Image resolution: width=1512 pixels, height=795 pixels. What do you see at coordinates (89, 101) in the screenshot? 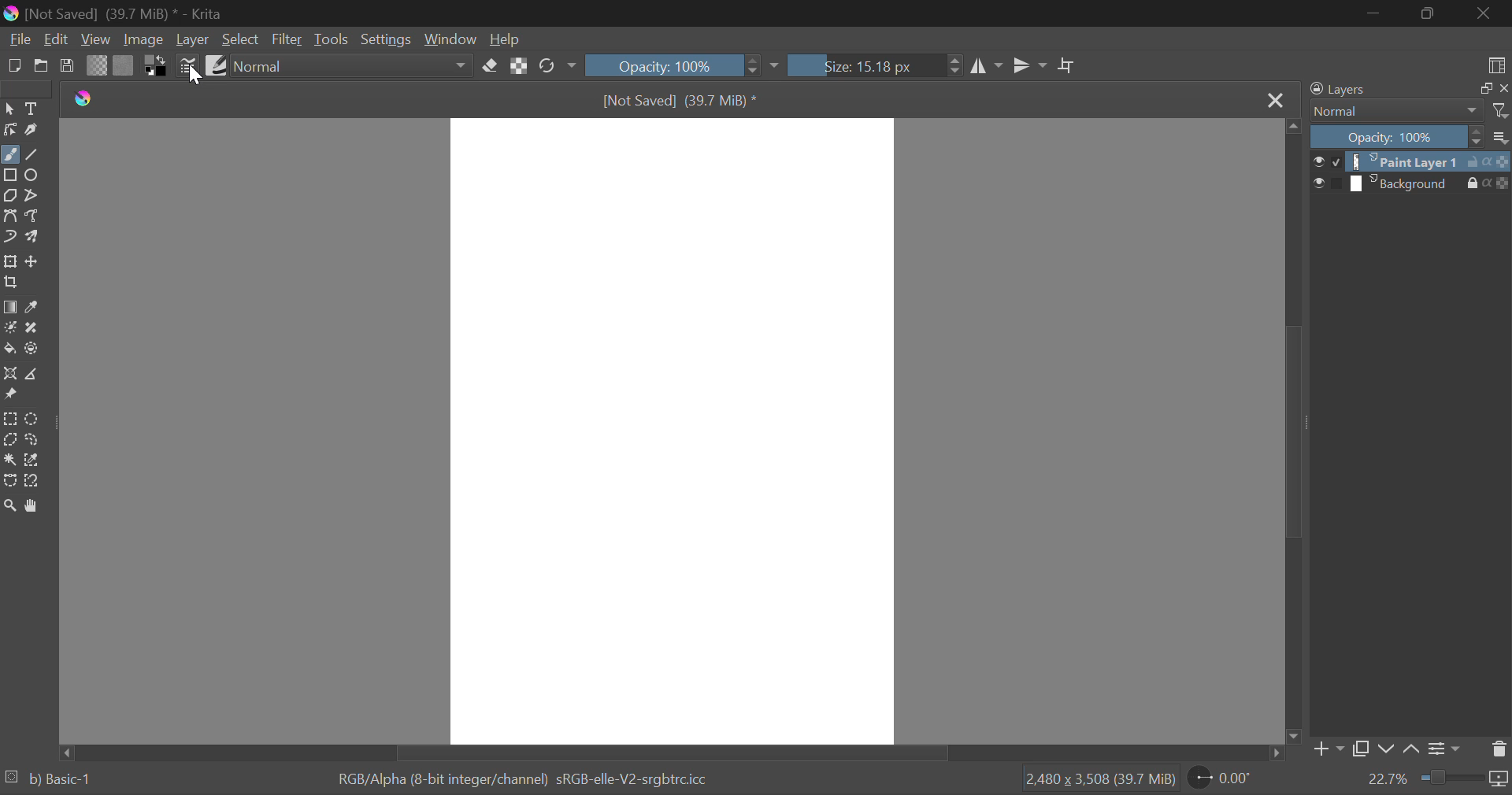
I see `logo` at bounding box center [89, 101].